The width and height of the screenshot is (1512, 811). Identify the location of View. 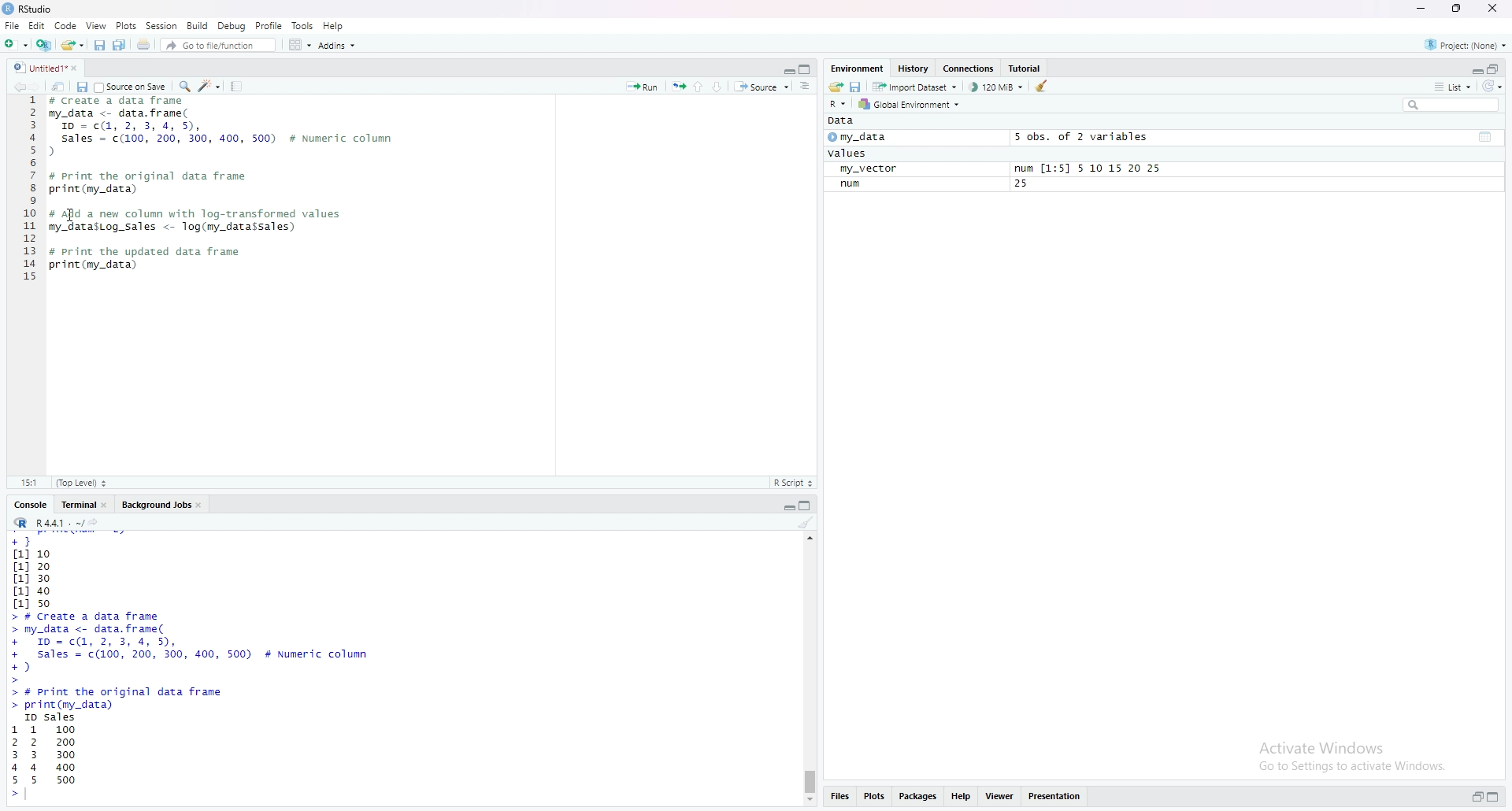
(94, 27).